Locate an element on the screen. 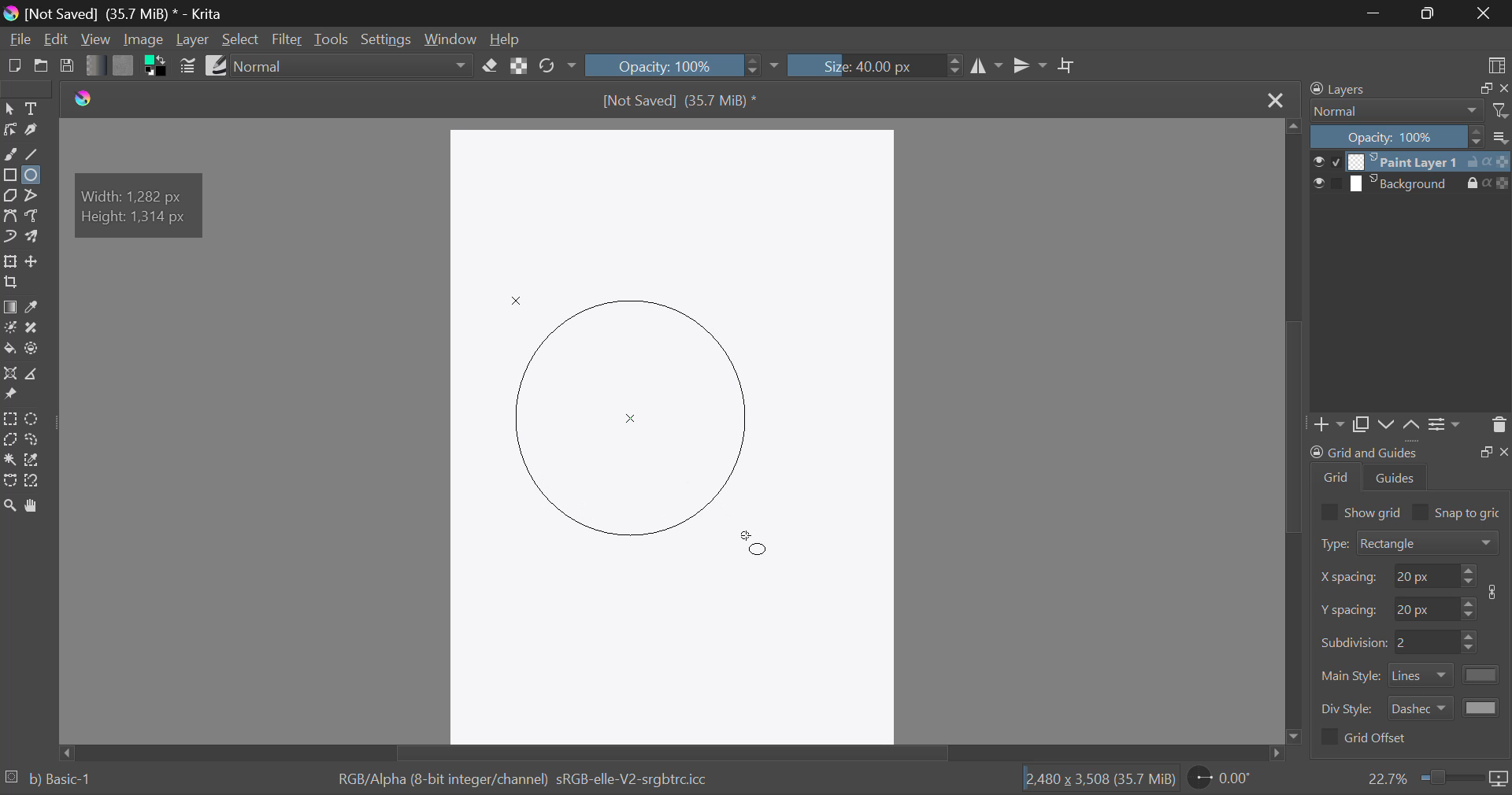 This screenshot has height=795, width=1512. Choose Workspace is located at coordinates (1495, 65).